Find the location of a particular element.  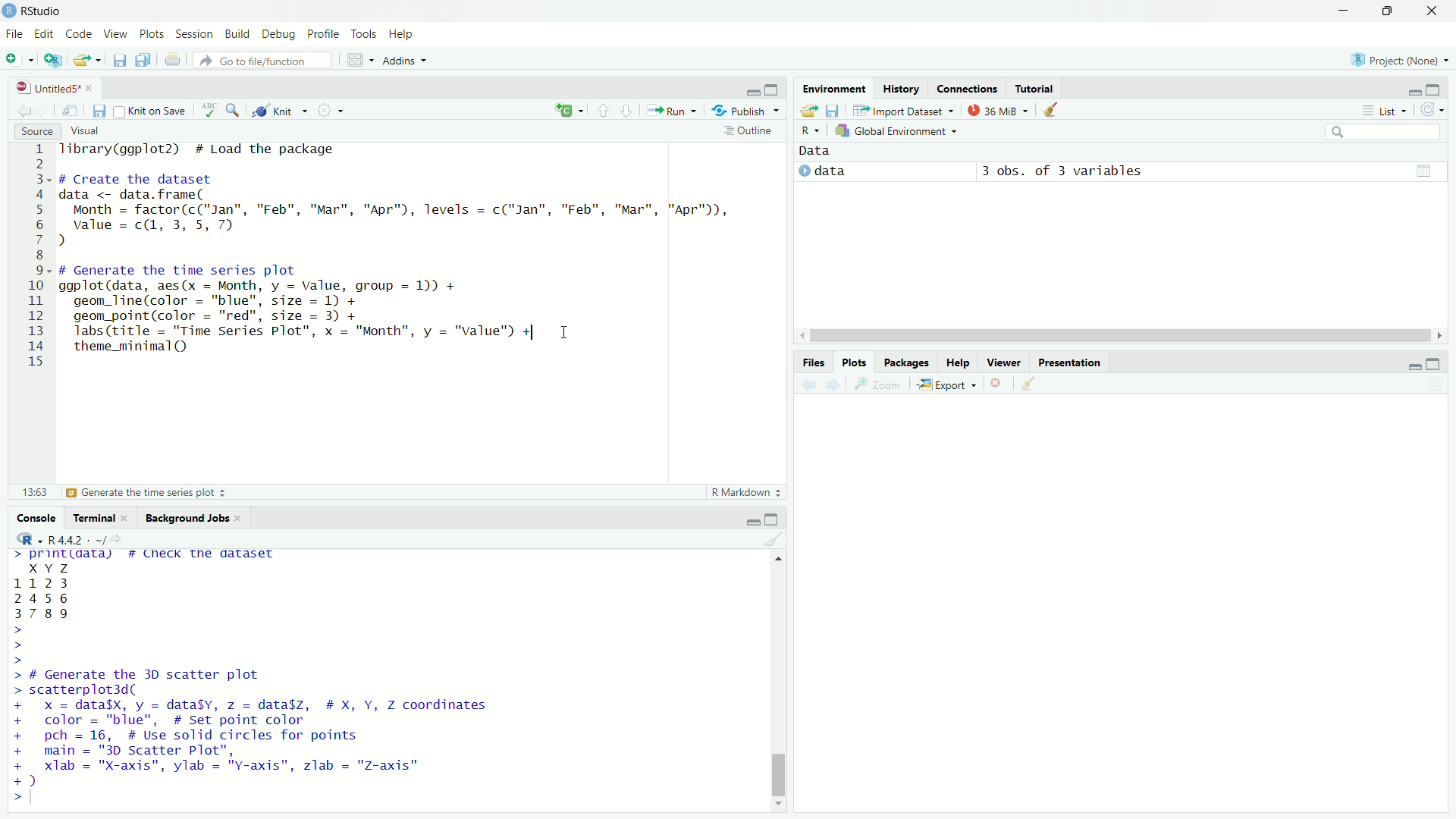

select language is located at coordinates (23, 540).